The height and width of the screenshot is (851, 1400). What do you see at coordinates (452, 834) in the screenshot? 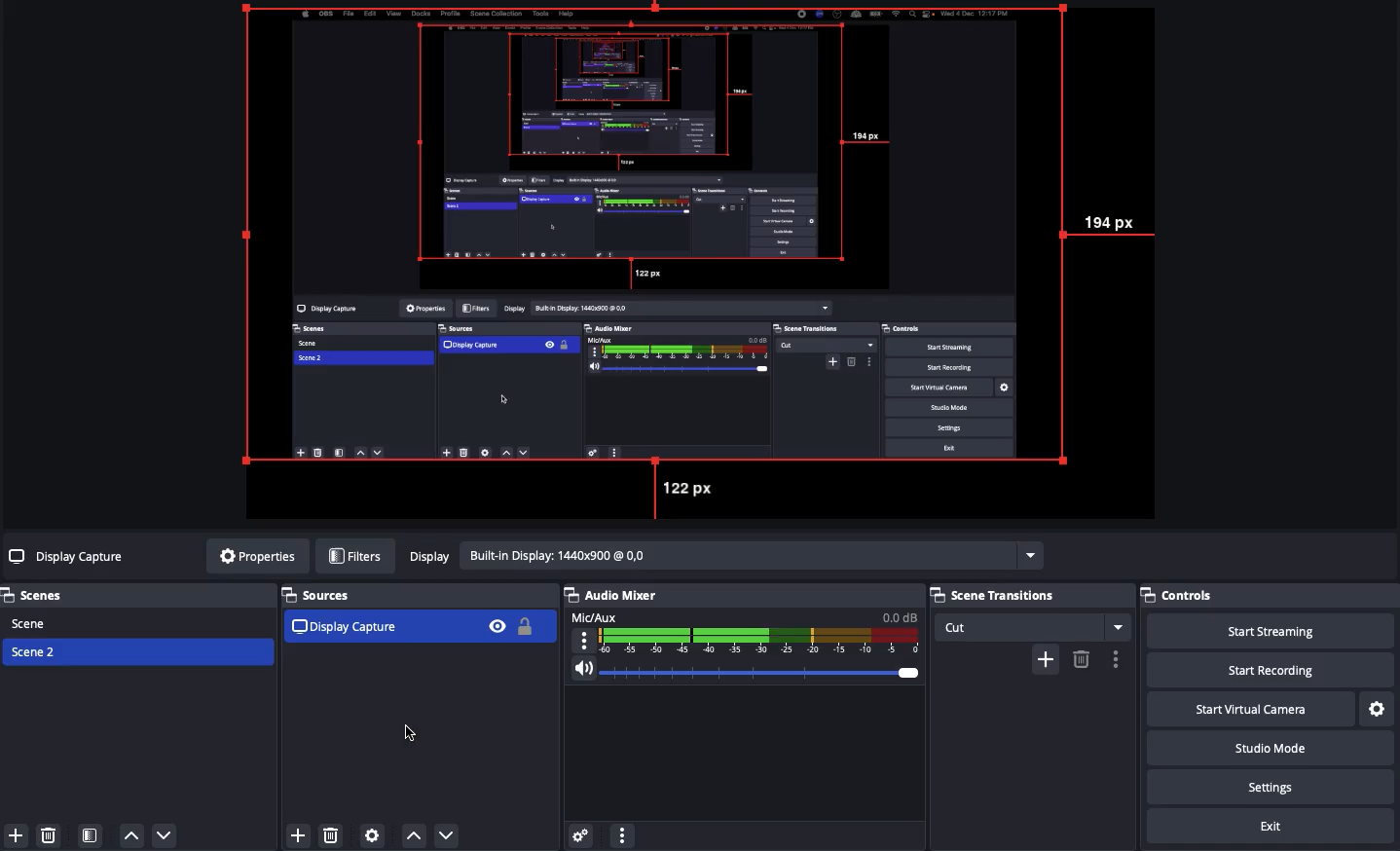
I see `next` at bounding box center [452, 834].